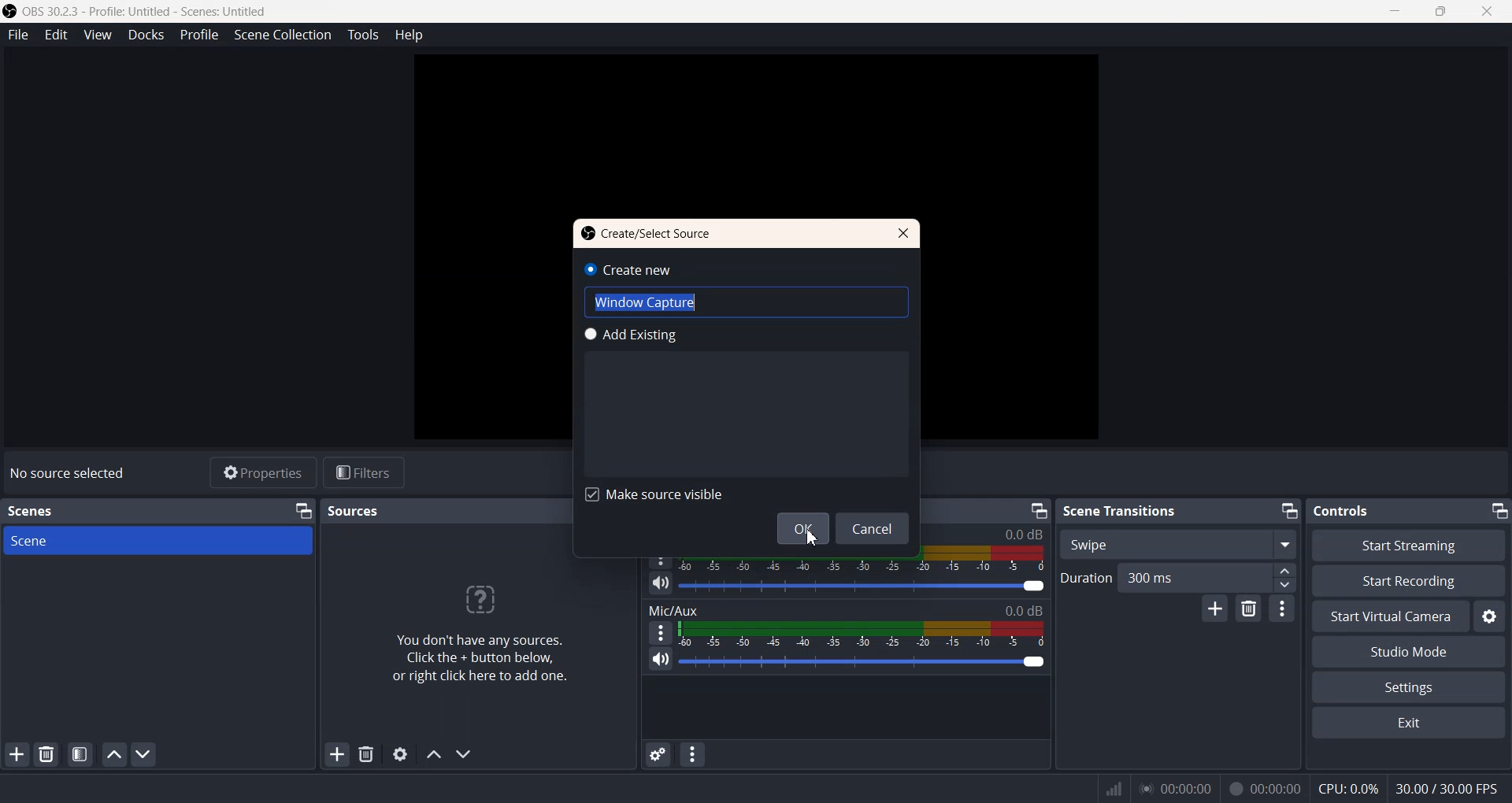 The height and width of the screenshot is (803, 1512). What do you see at coordinates (1179, 543) in the screenshot?
I see `Swipe` at bounding box center [1179, 543].